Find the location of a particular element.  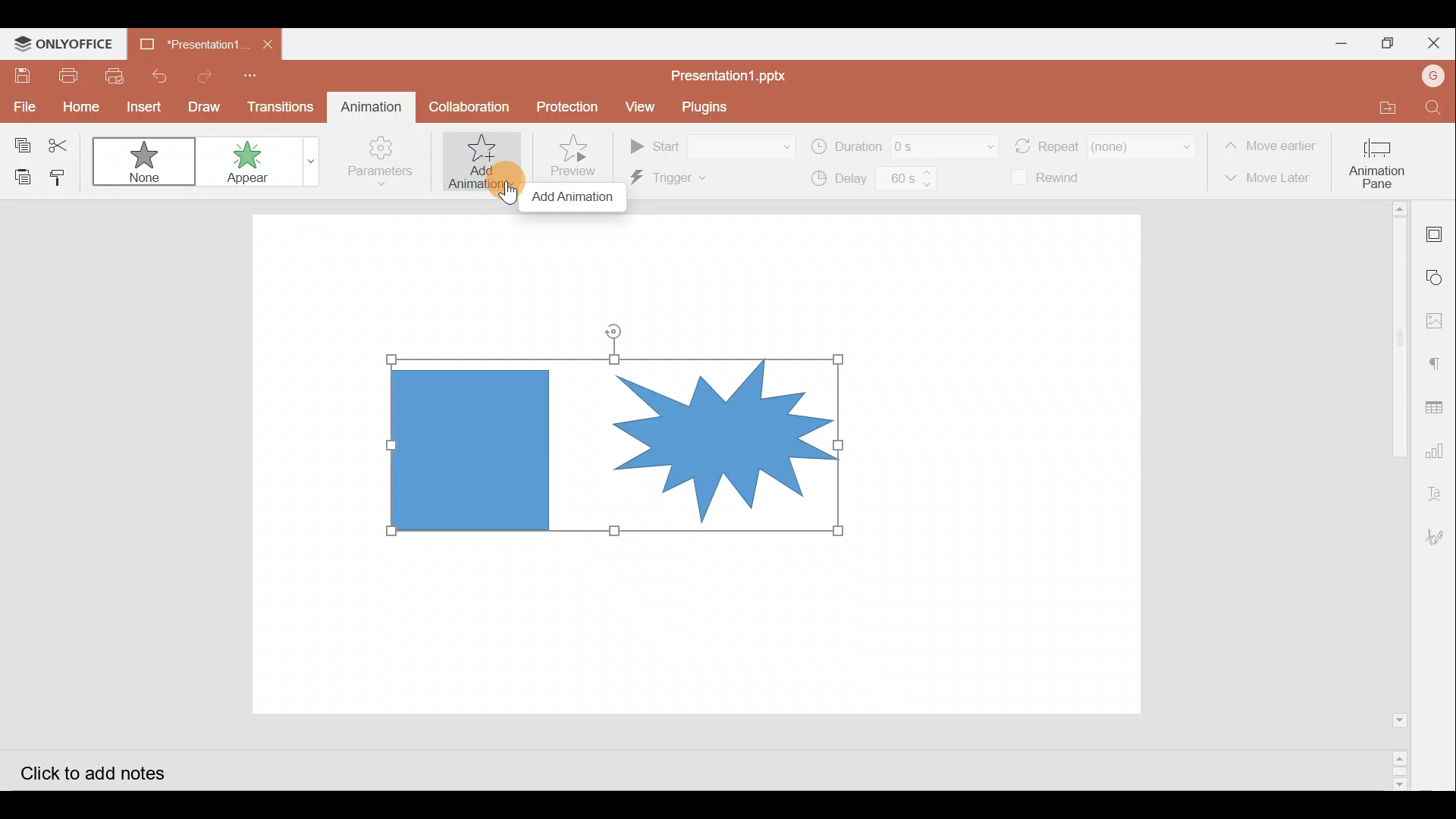

Trigger is located at coordinates (695, 180).